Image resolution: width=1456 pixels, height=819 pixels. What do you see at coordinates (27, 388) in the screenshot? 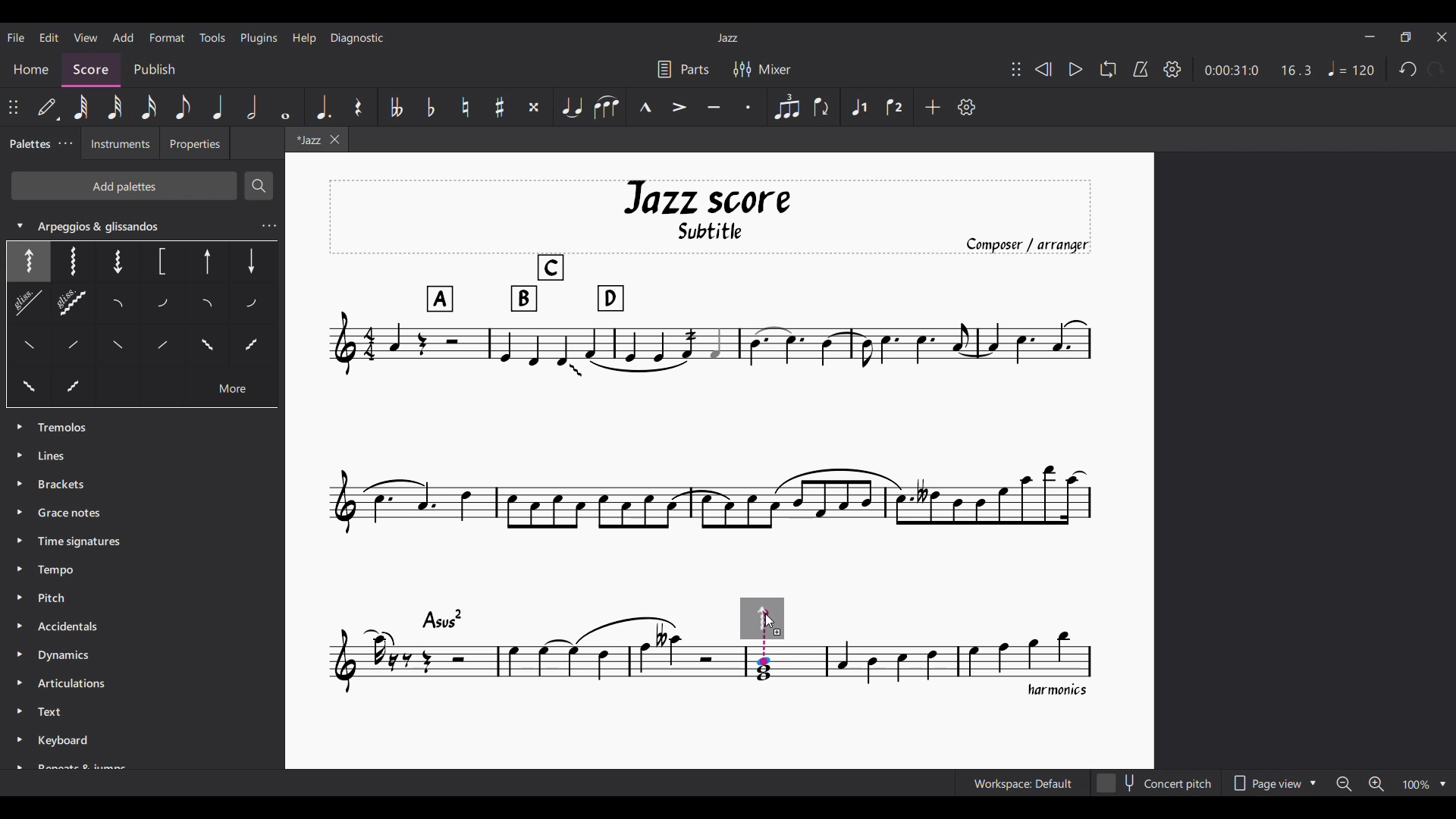
I see `` at bounding box center [27, 388].